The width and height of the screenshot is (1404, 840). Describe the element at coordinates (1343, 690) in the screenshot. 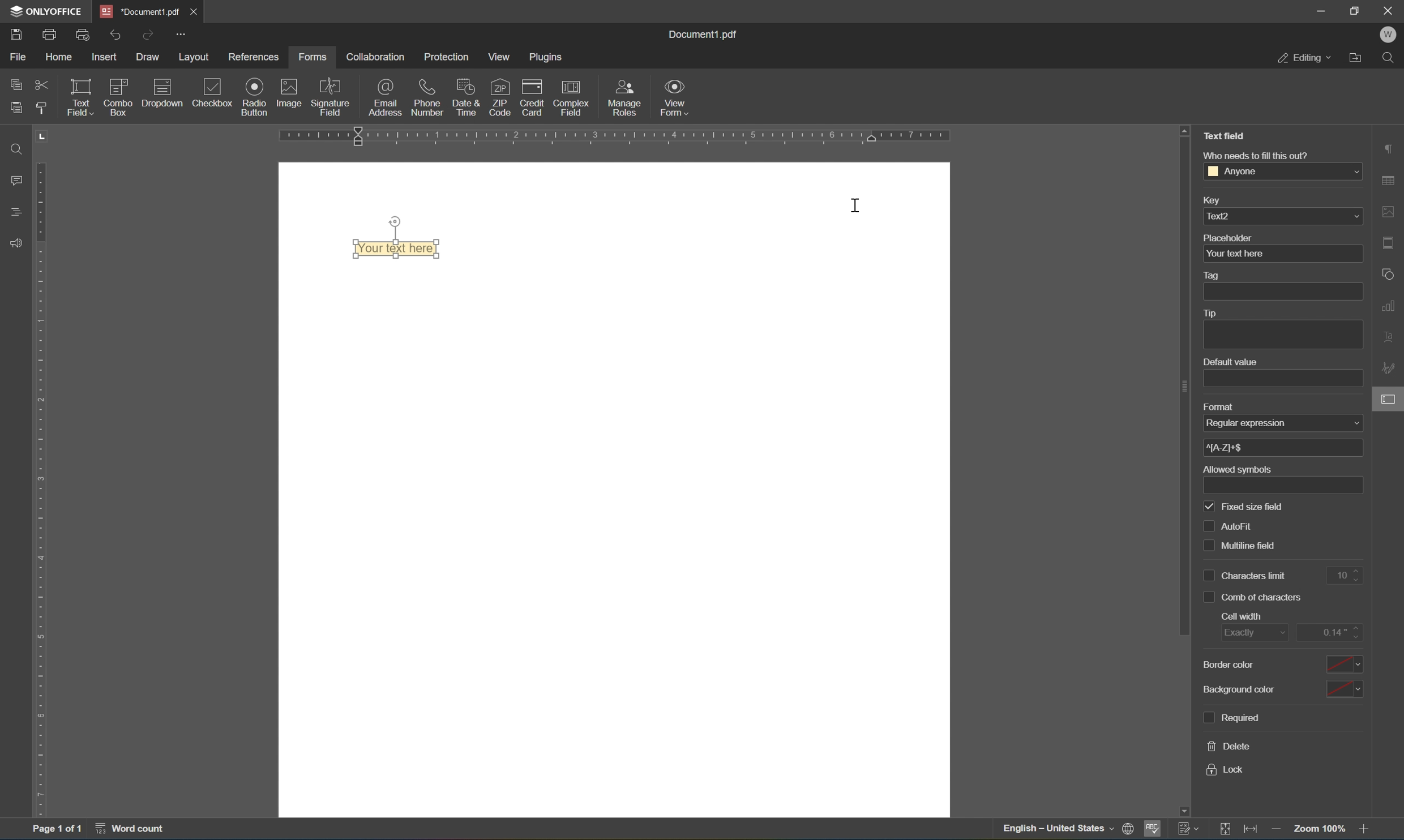

I see `color` at that location.